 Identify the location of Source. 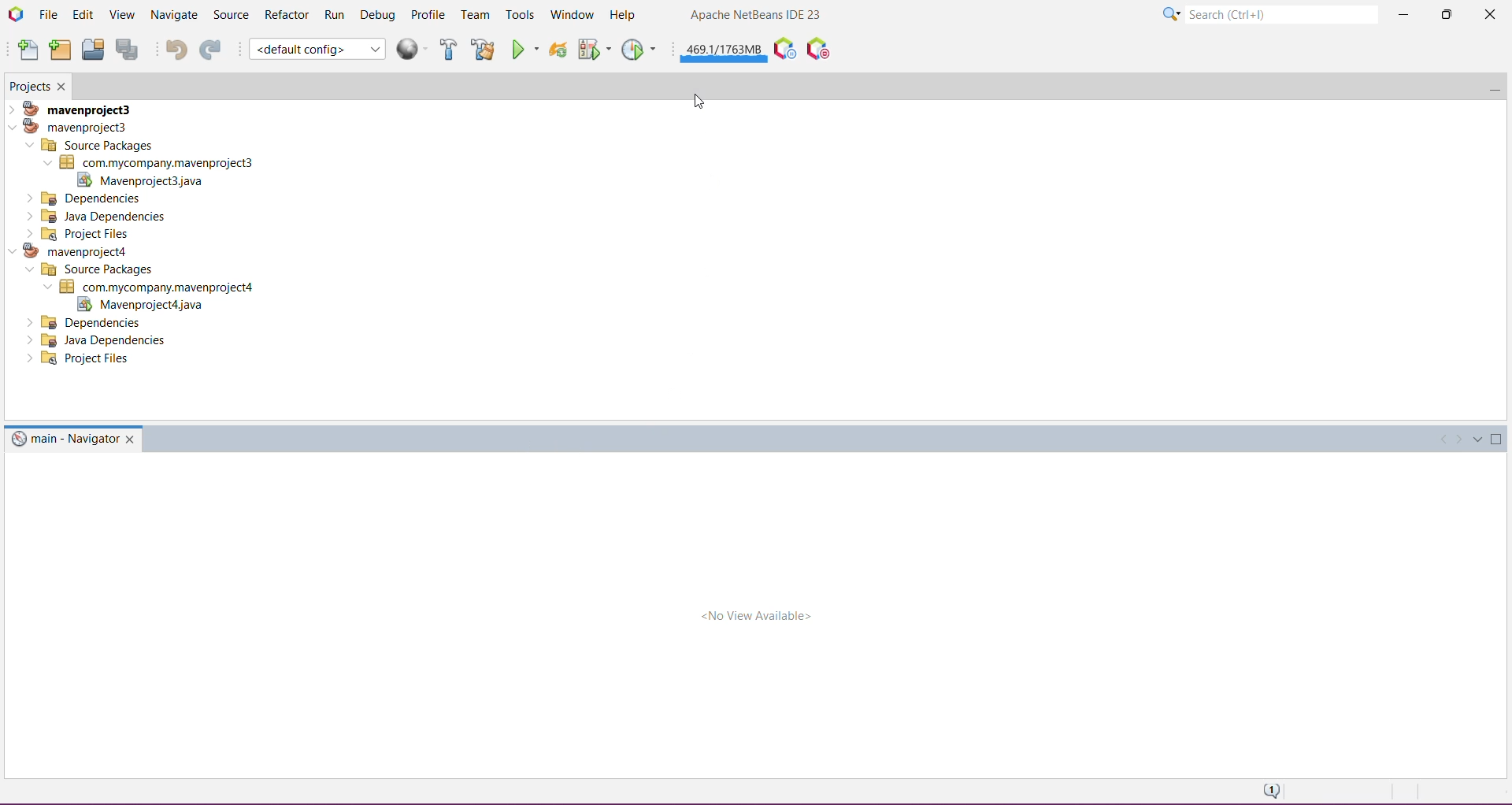
(230, 15).